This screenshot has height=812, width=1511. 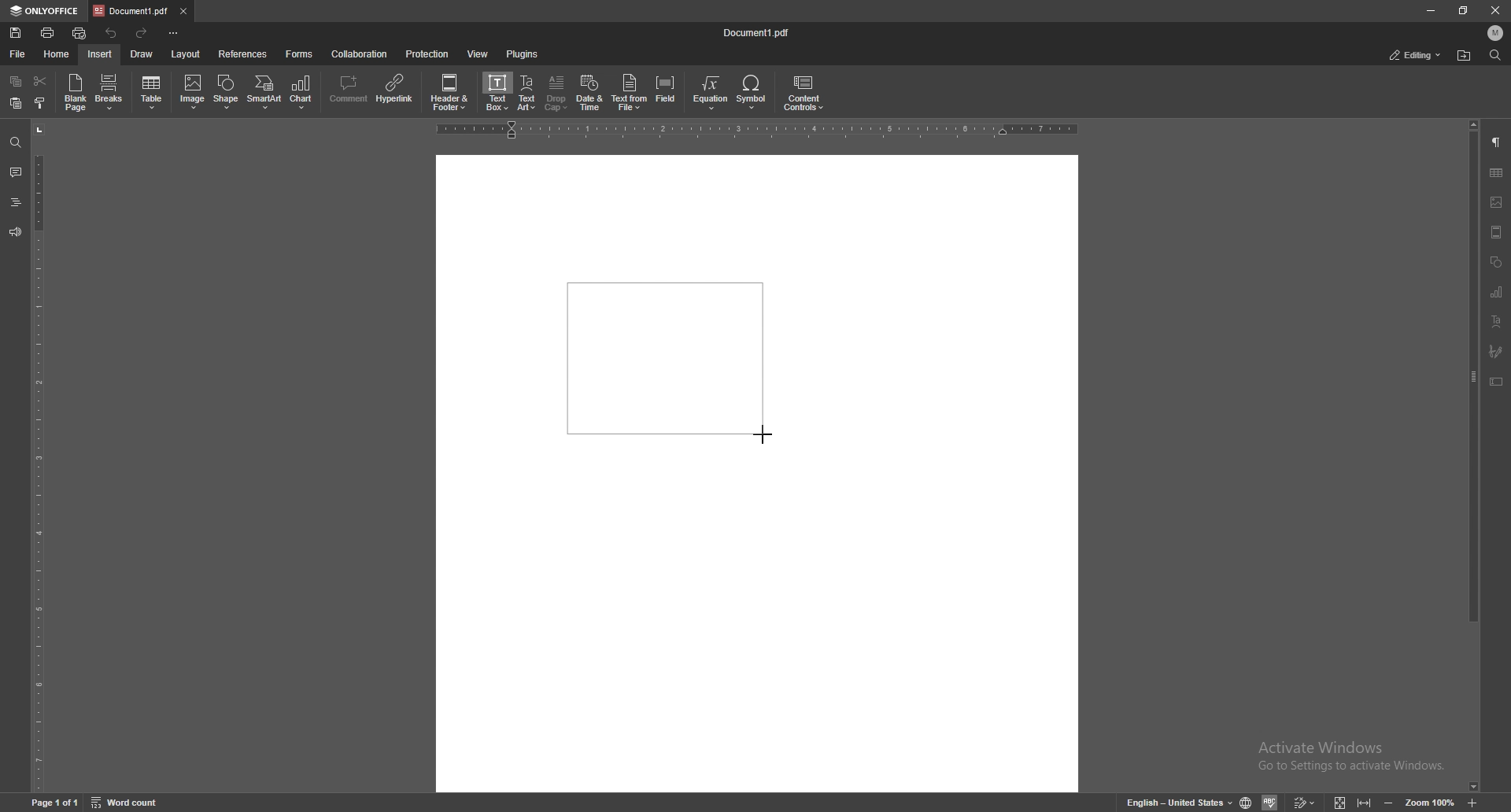 I want to click on track changes, so click(x=1303, y=803).